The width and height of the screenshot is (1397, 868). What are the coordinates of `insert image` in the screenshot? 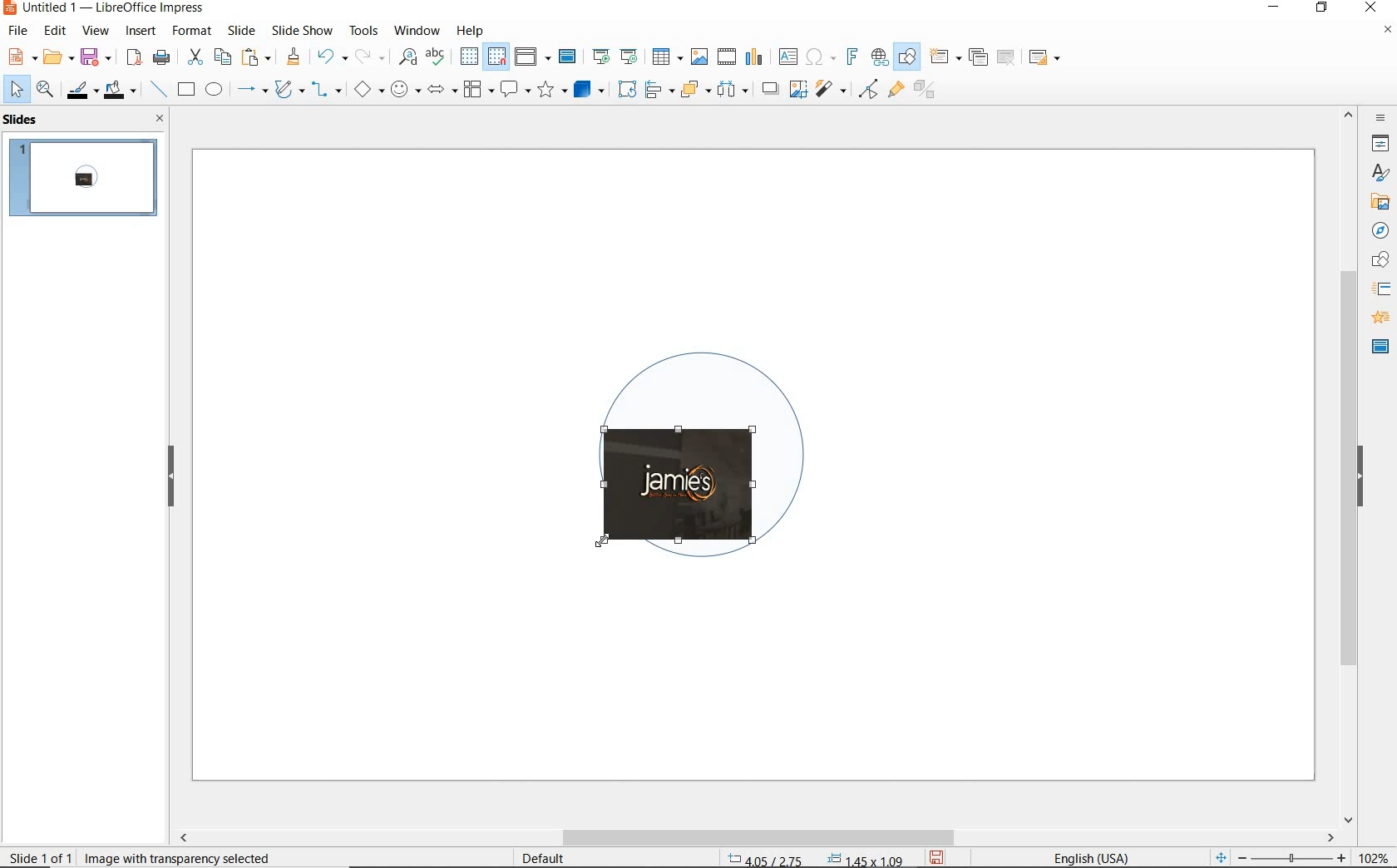 It's located at (698, 57).